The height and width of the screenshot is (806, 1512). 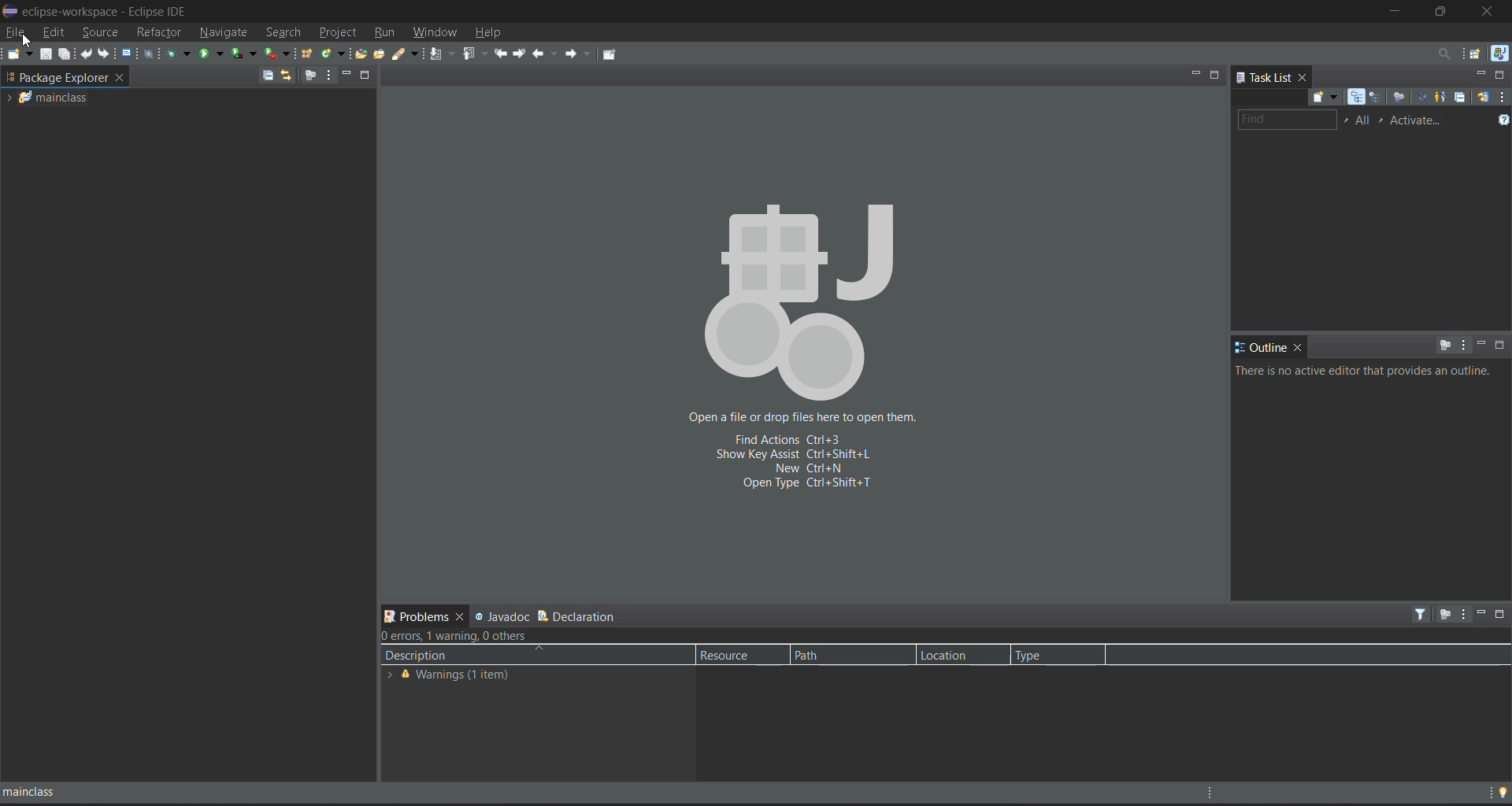 What do you see at coordinates (1376, 97) in the screenshot?
I see `scheduled` at bounding box center [1376, 97].